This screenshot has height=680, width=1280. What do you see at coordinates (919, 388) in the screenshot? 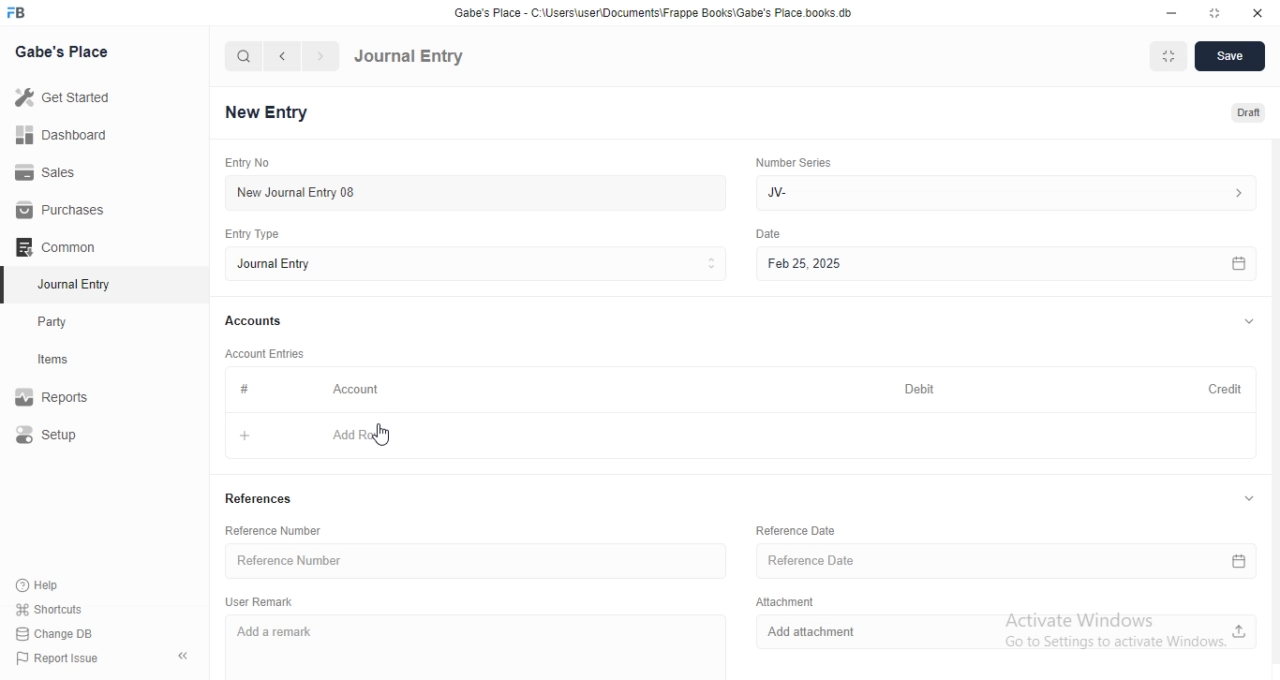
I see `Debit` at bounding box center [919, 388].